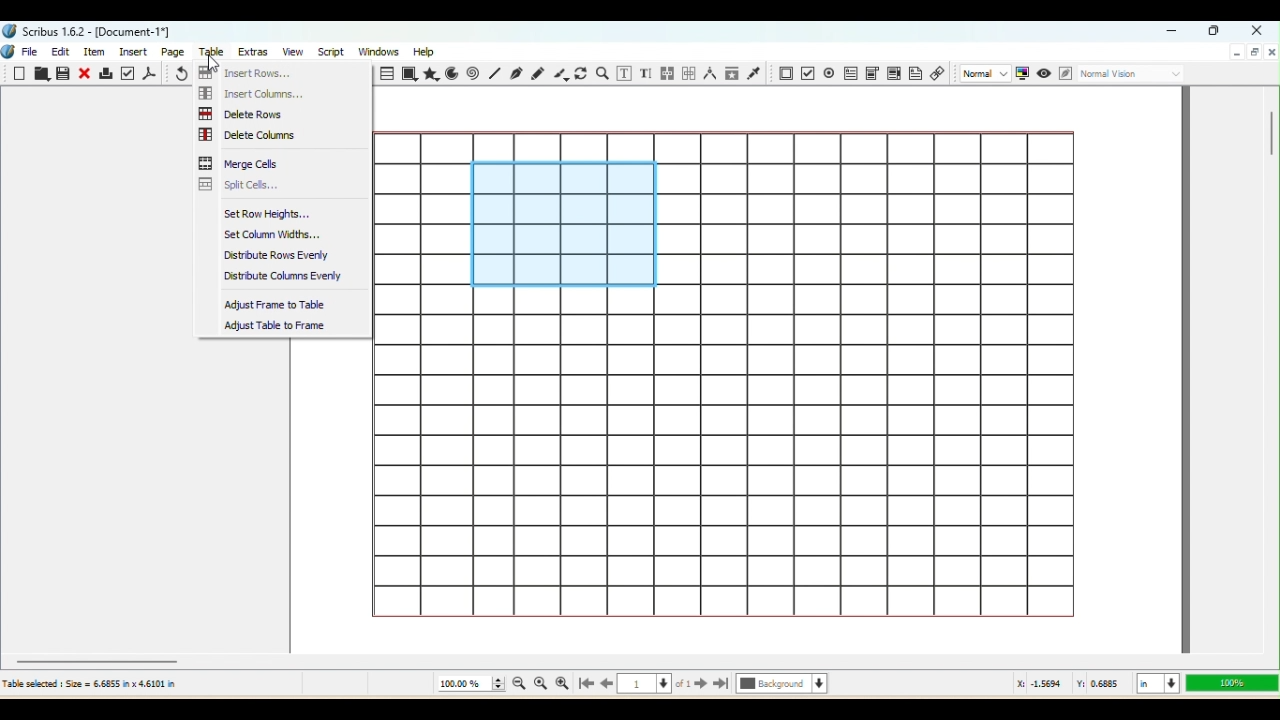 The width and height of the screenshot is (1280, 720). What do you see at coordinates (756, 74) in the screenshot?
I see `Eye dropper` at bounding box center [756, 74].